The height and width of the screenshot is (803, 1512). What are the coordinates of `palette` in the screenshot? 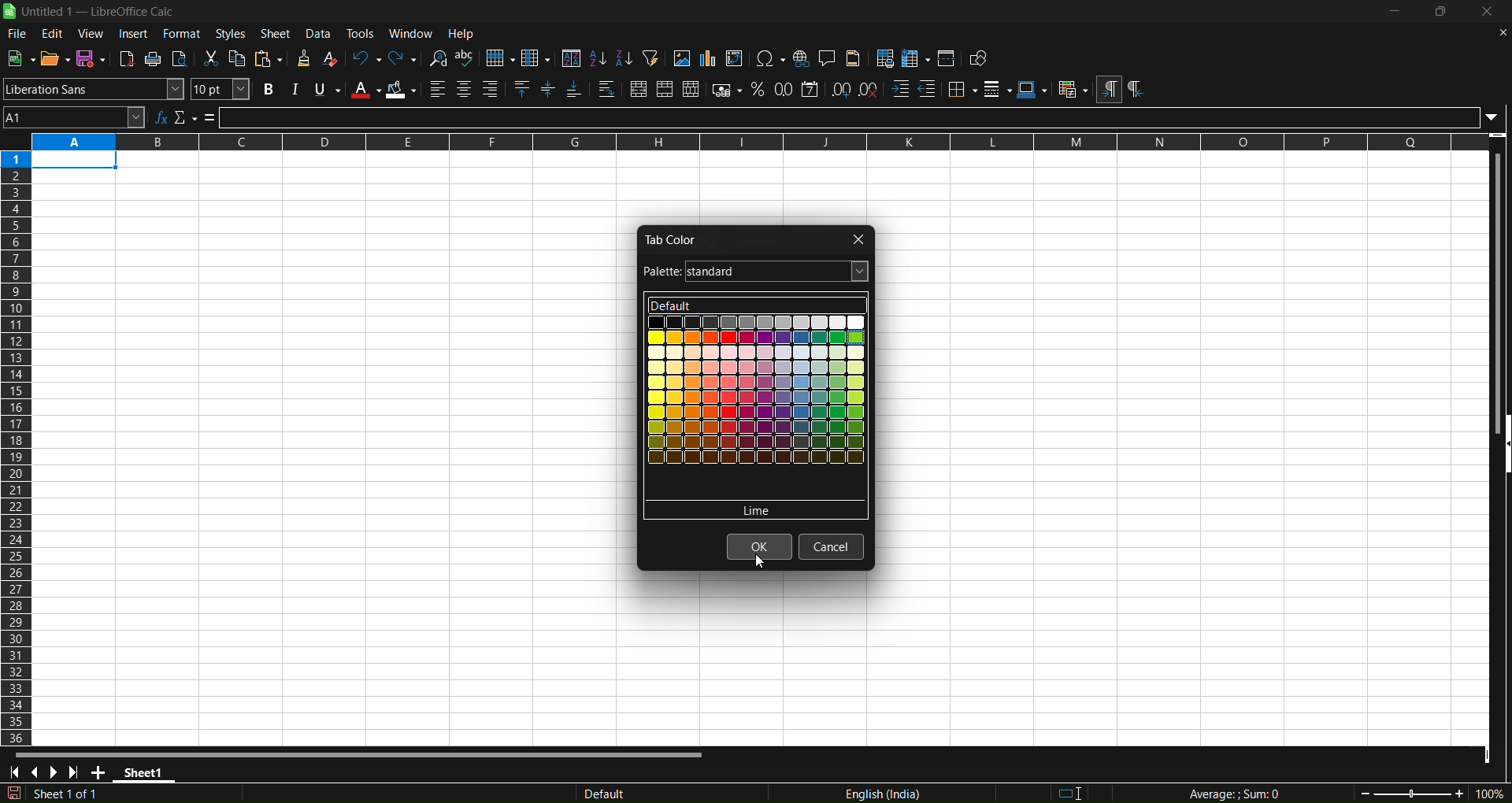 It's located at (756, 272).